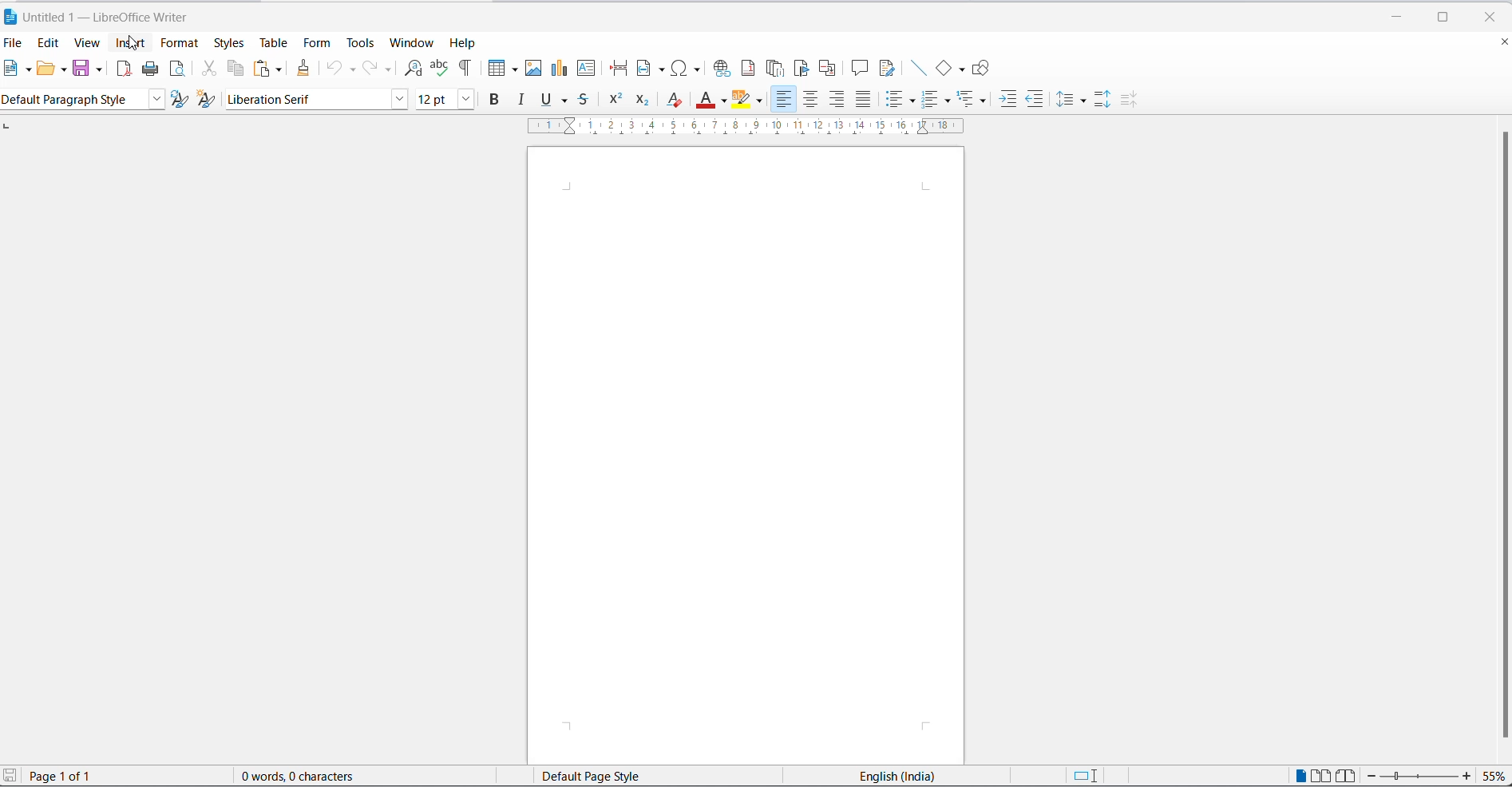 The width and height of the screenshot is (1512, 787). I want to click on character highlighting options, so click(762, 101).